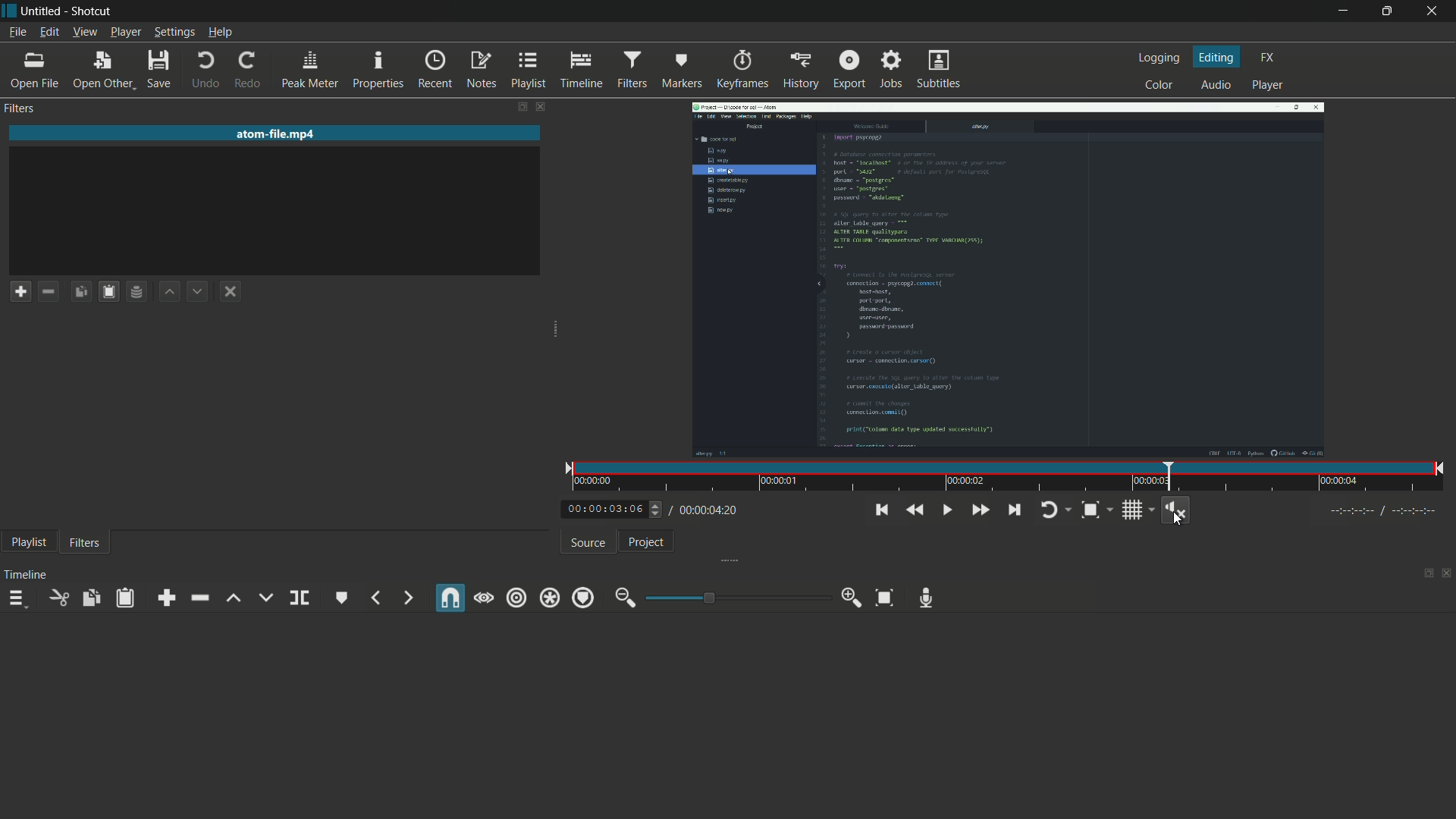 This screenshot has width=1456, height=819. I want to click on lift, so click(230, 600).